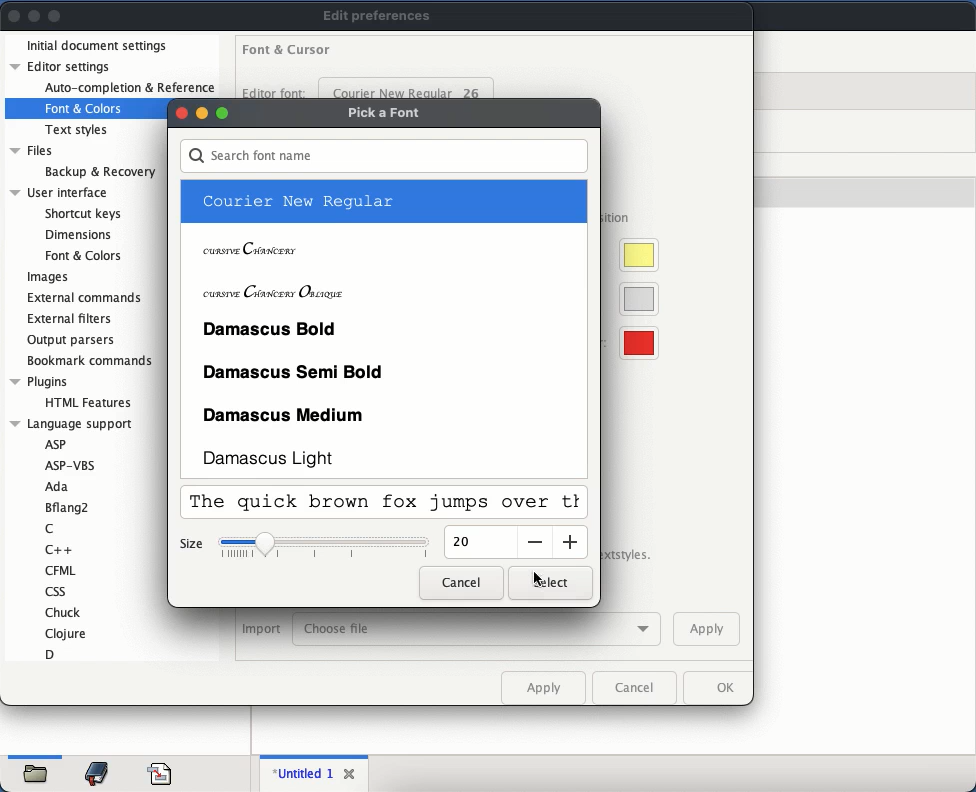 This screenshot has width=976, height=792. Describe the element at coordinates (252, 250) in the screenshot. I see `cunsng Crancenr` at that location.